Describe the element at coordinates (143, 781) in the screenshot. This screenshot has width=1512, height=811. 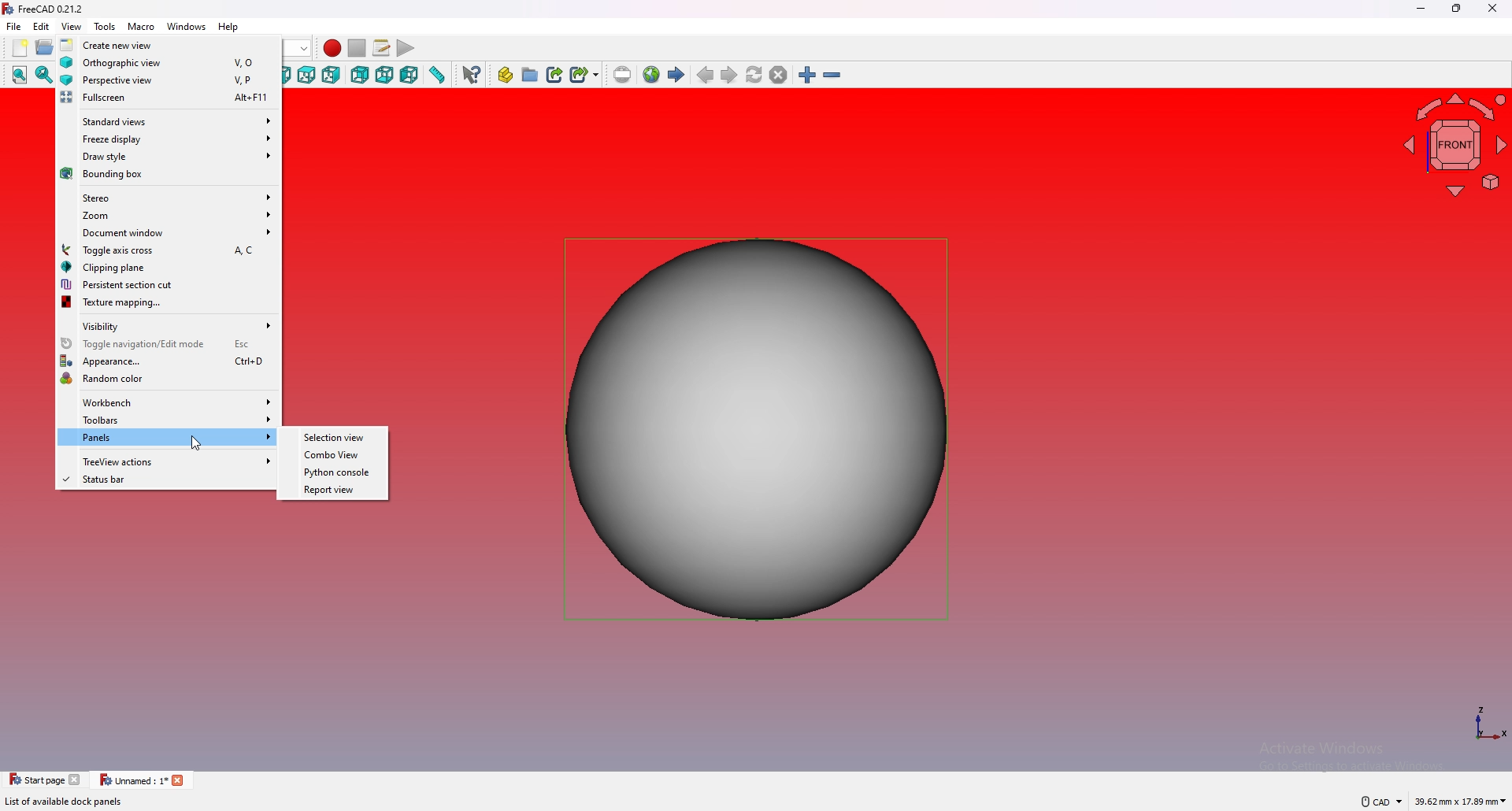
I see `tab 2` at that location.